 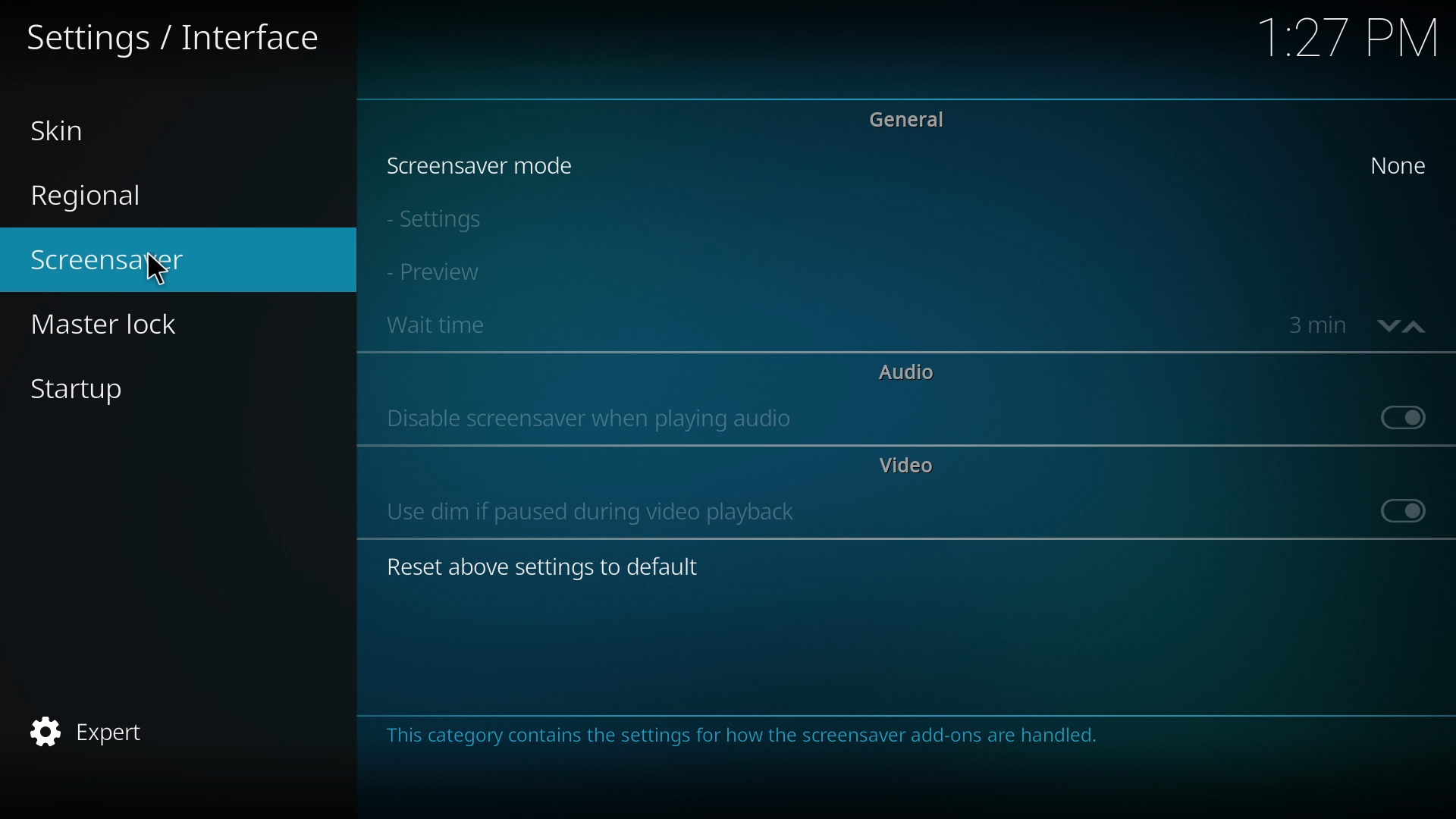 What do you see at coordinates (1348, 39) in the screenshot?
I see `time` at bounding box center [1348, 39].